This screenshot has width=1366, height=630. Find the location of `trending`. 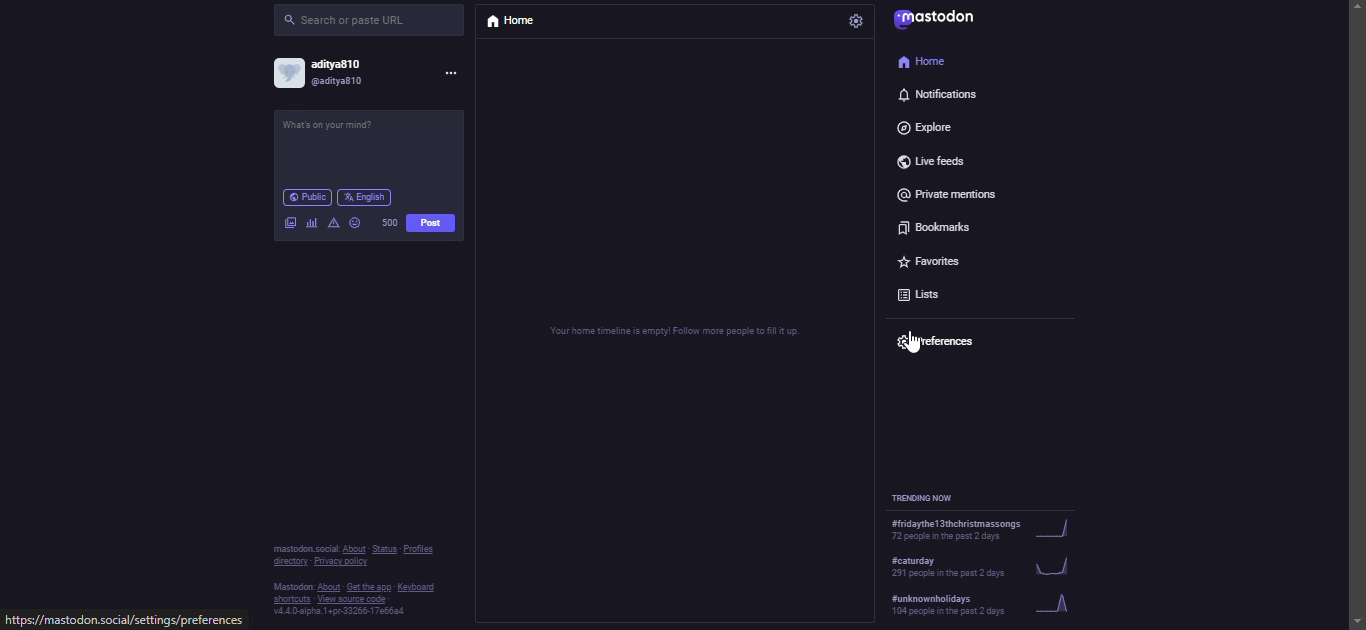

trending is located at coordinates (985, 605).